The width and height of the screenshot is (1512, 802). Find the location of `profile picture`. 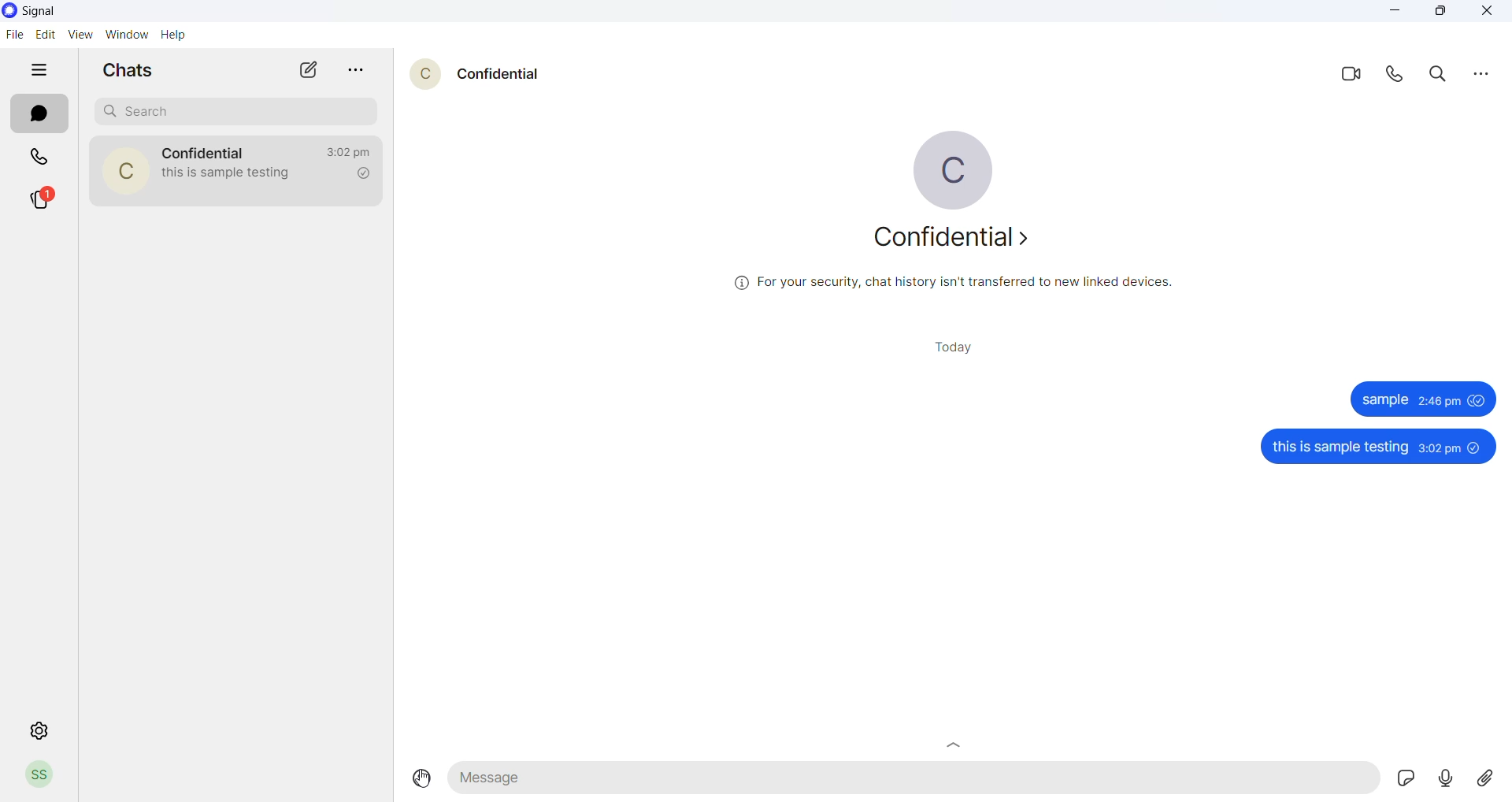

profile picture is located at coordinates (960, 171).